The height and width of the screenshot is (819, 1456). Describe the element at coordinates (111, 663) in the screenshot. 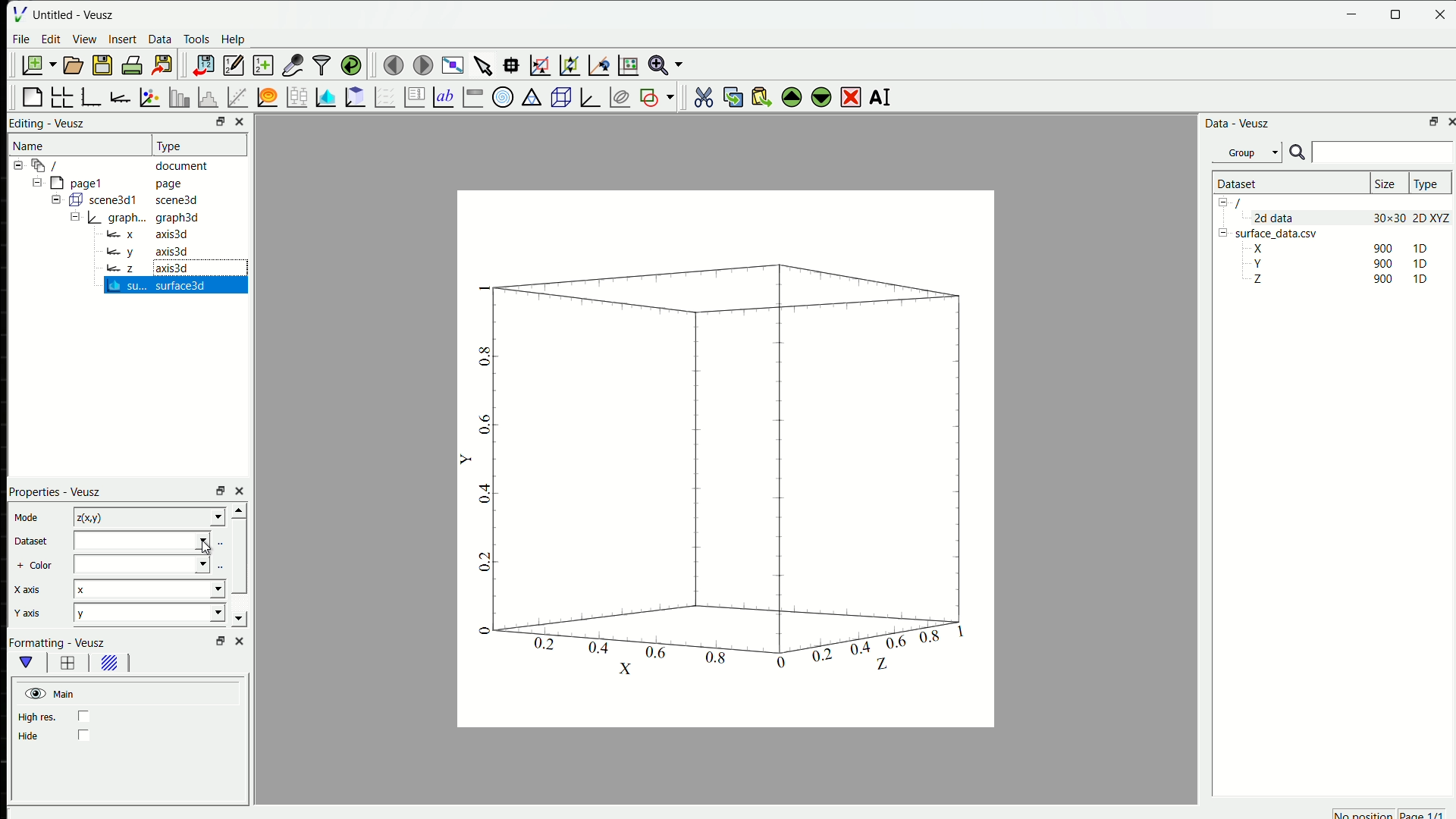

I see `background` at that location.